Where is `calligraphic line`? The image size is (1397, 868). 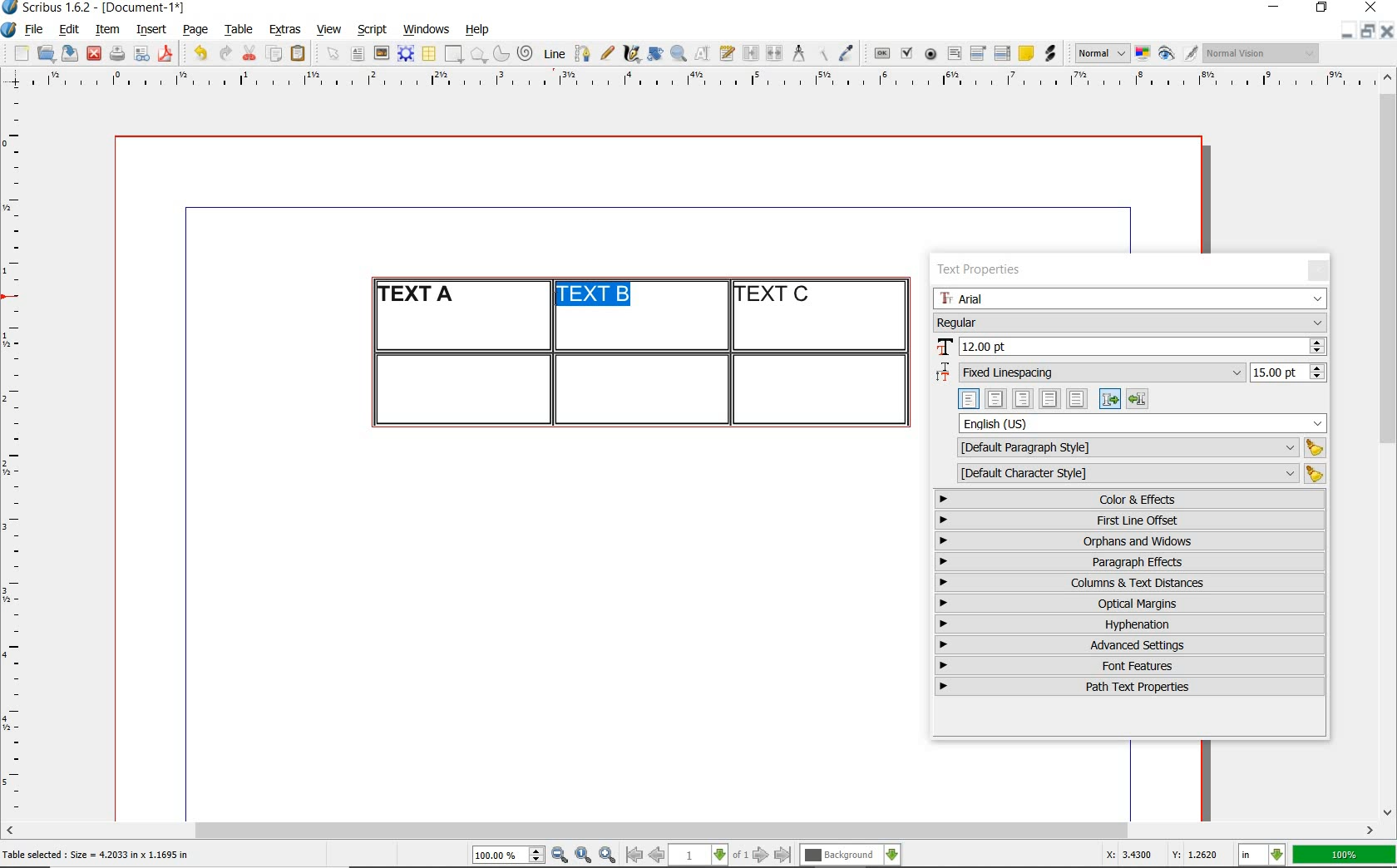 calligraphic line is located at coordinates (633, 53).